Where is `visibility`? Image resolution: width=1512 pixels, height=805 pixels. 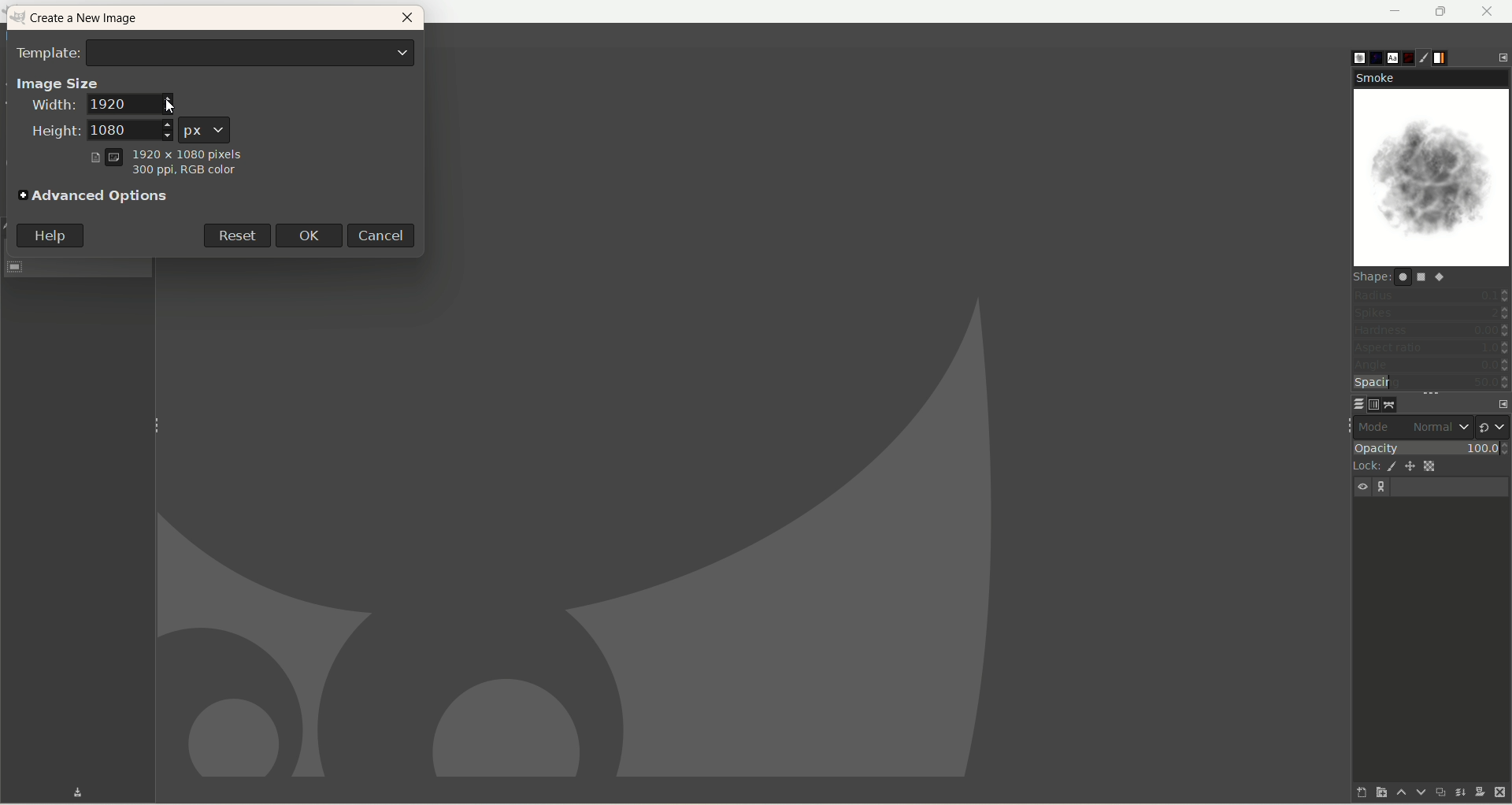 visibility is located at coordinates (1364, 487).